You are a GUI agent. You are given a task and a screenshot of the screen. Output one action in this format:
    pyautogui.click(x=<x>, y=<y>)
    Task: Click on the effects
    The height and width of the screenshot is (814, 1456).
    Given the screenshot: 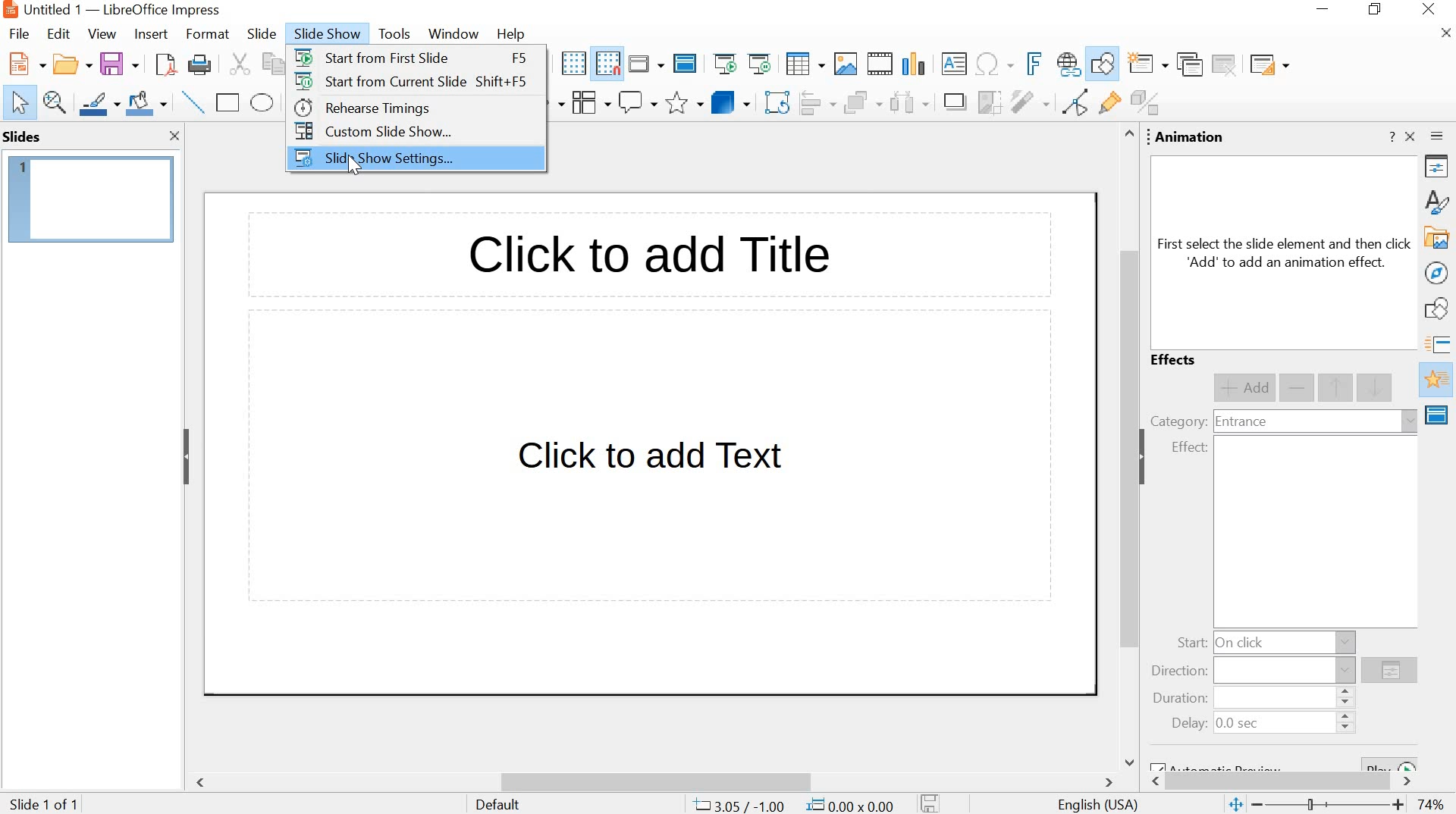 What is the action you would take?
    pyautogui.click(x=1175, y=361)
    